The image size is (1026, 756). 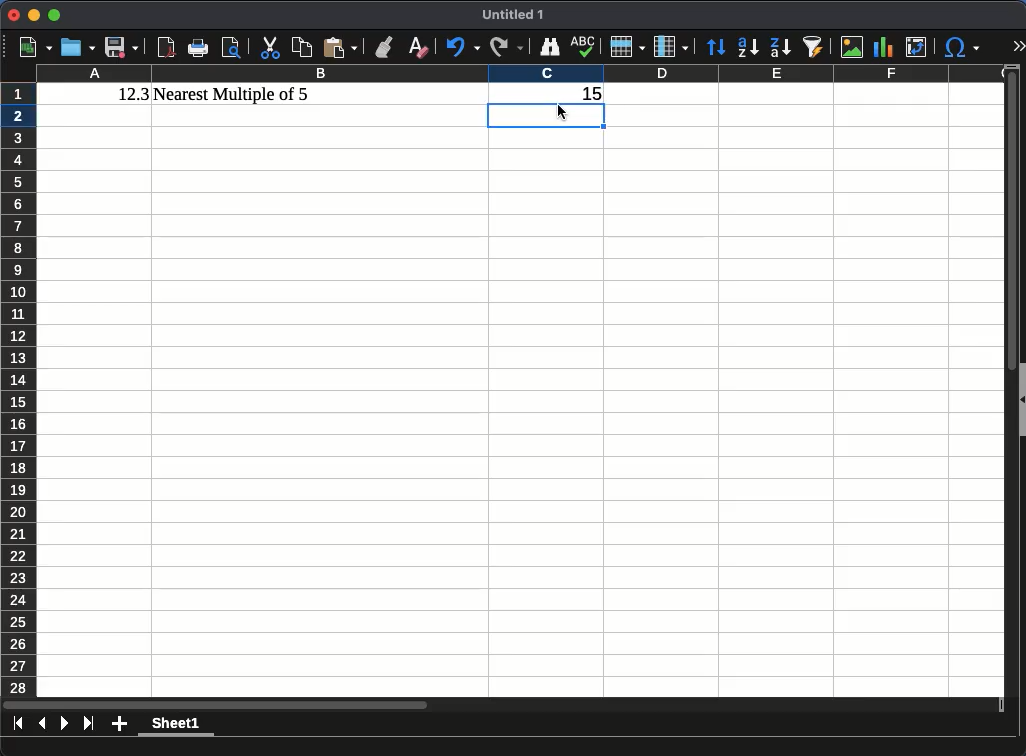 I want to click on pdf reader, so click(x=167, y=48).